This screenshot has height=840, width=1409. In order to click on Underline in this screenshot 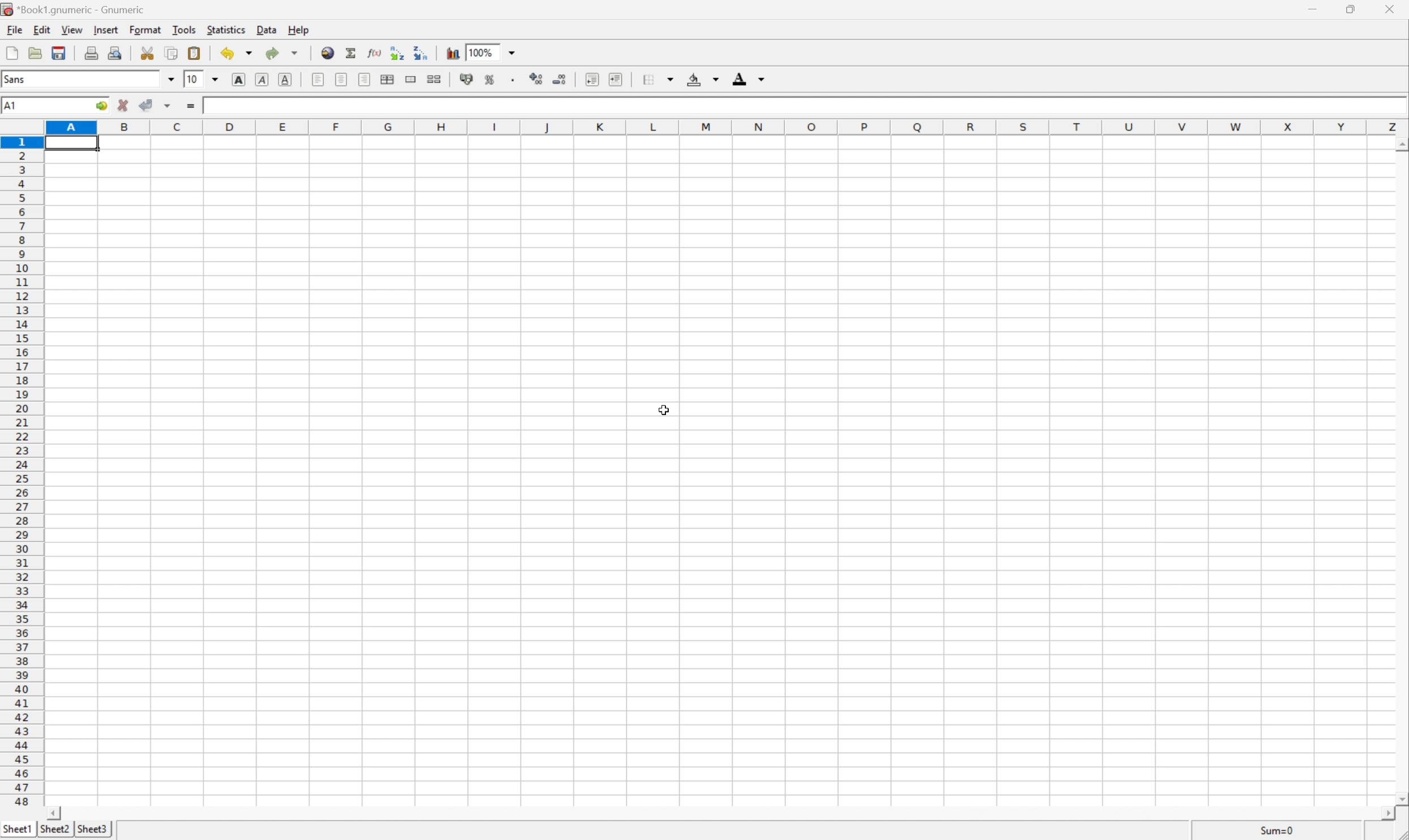, I will do `click(285, 79)`.